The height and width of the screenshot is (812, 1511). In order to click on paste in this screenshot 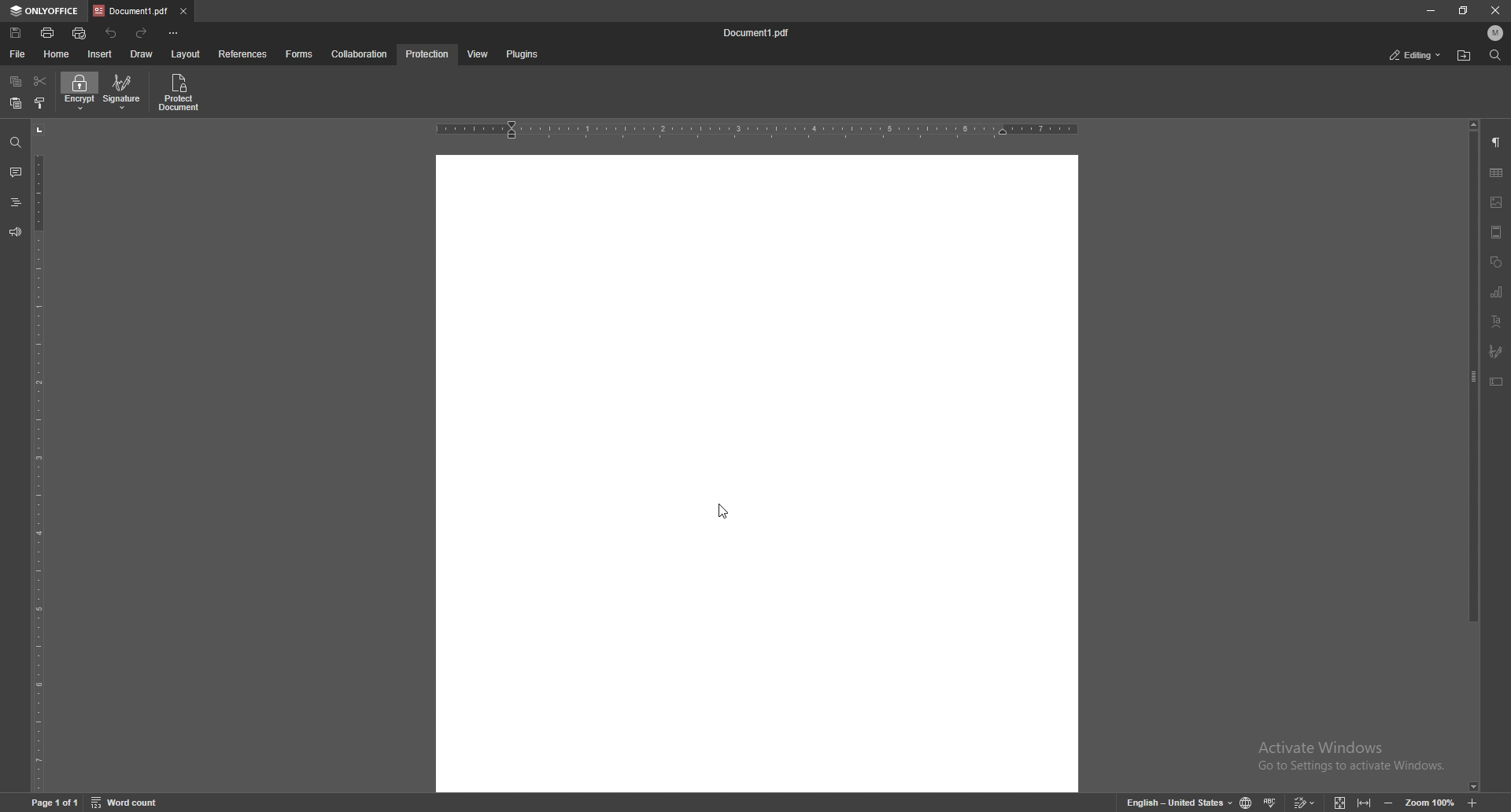, I will do `click(16, 104)`.